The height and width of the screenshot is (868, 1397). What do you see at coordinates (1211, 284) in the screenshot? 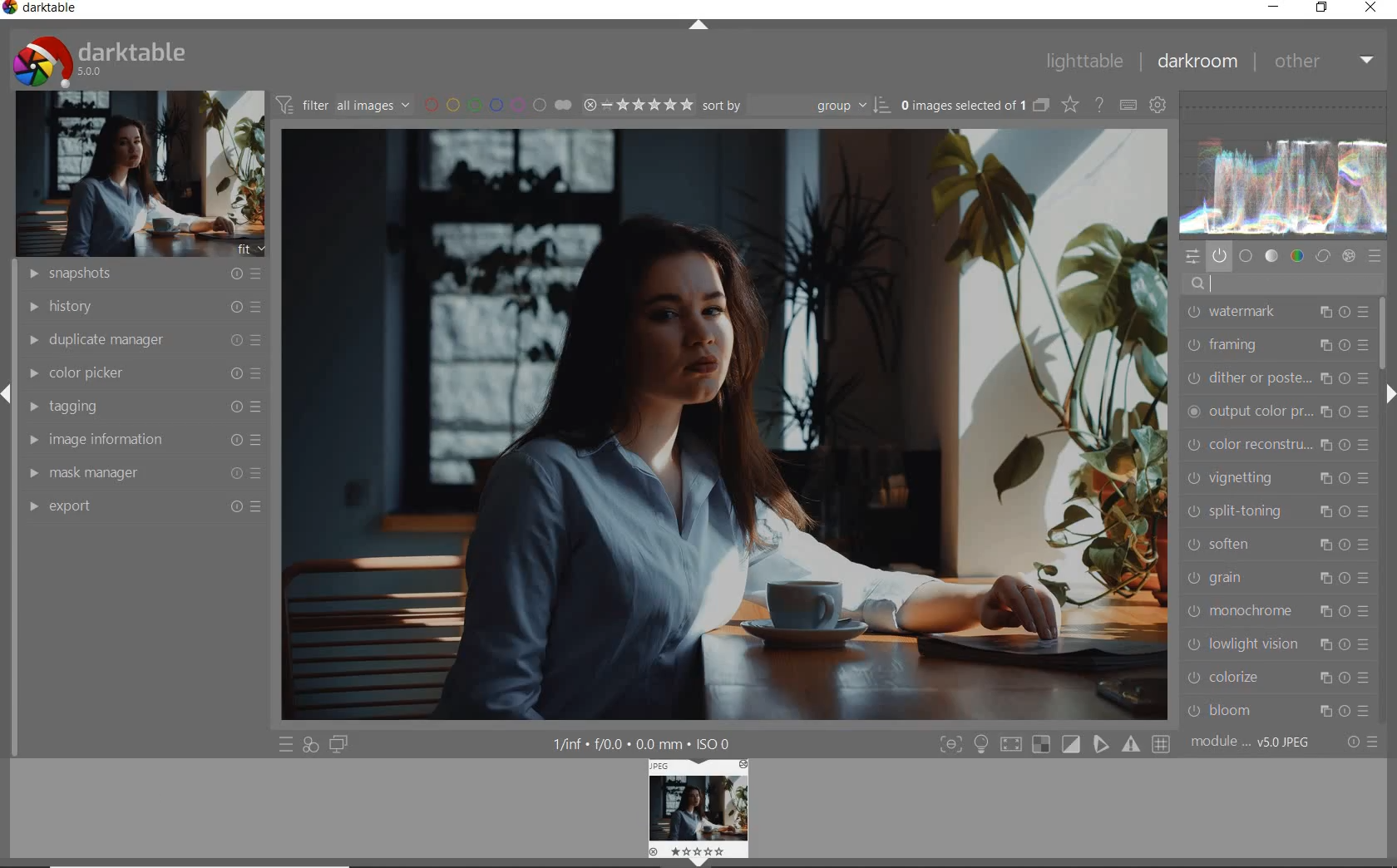
I see `editor` at bounding box center [1211, 284].